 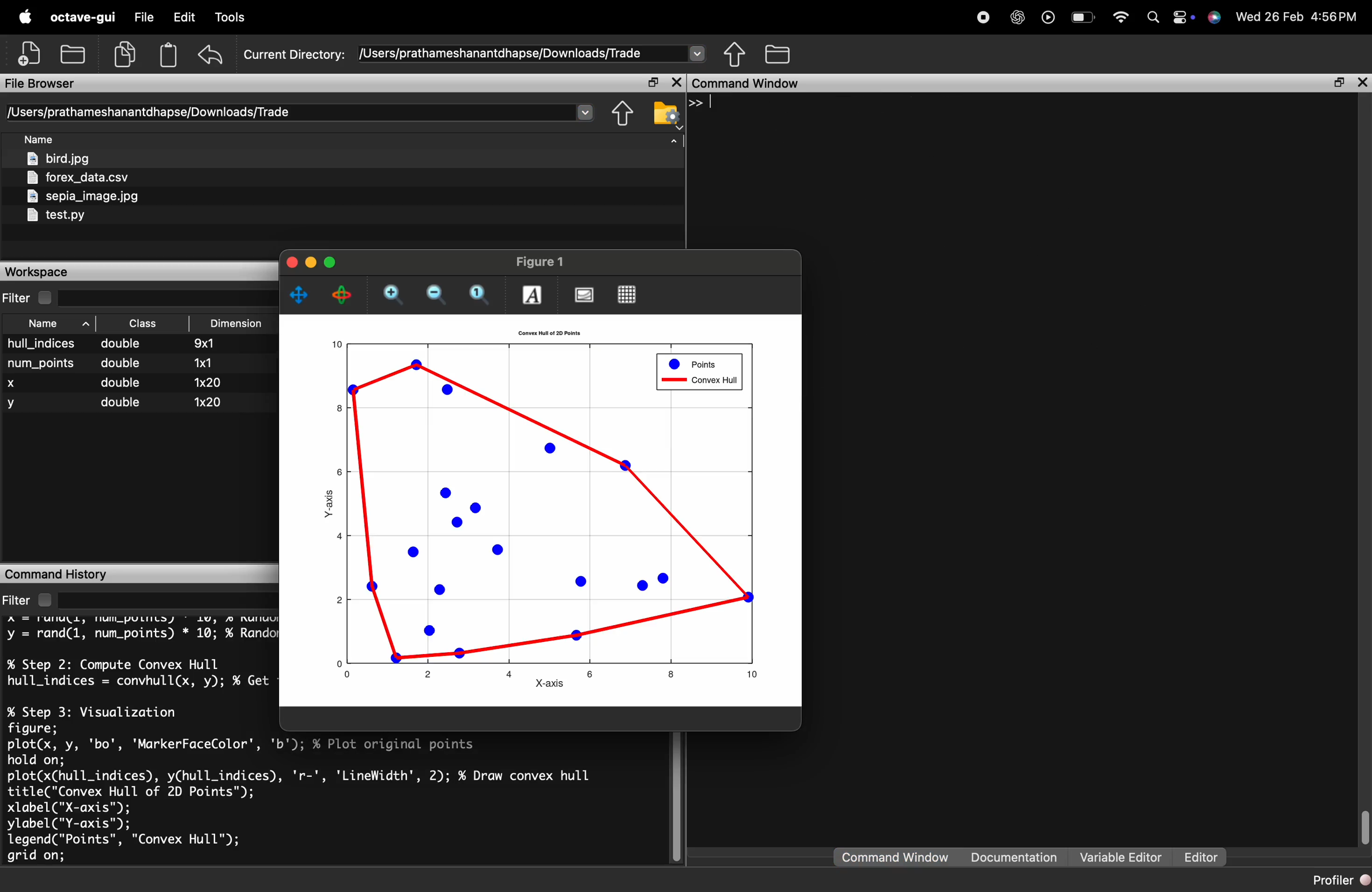 What do you see at coordinates (299, 296) in the screenshot?
I see `pan` at bounding box center [299, 296].